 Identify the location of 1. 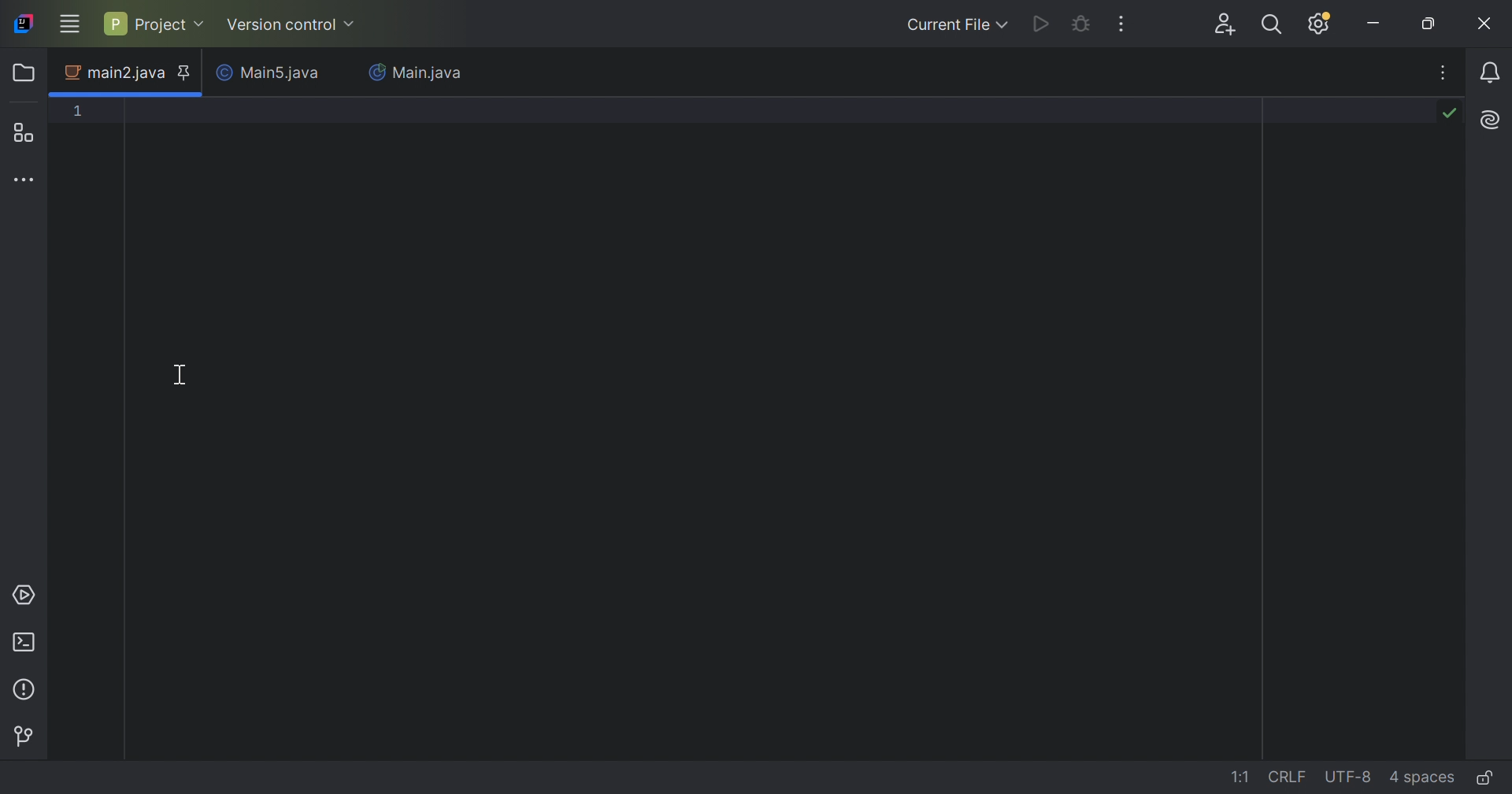
(79, 110).